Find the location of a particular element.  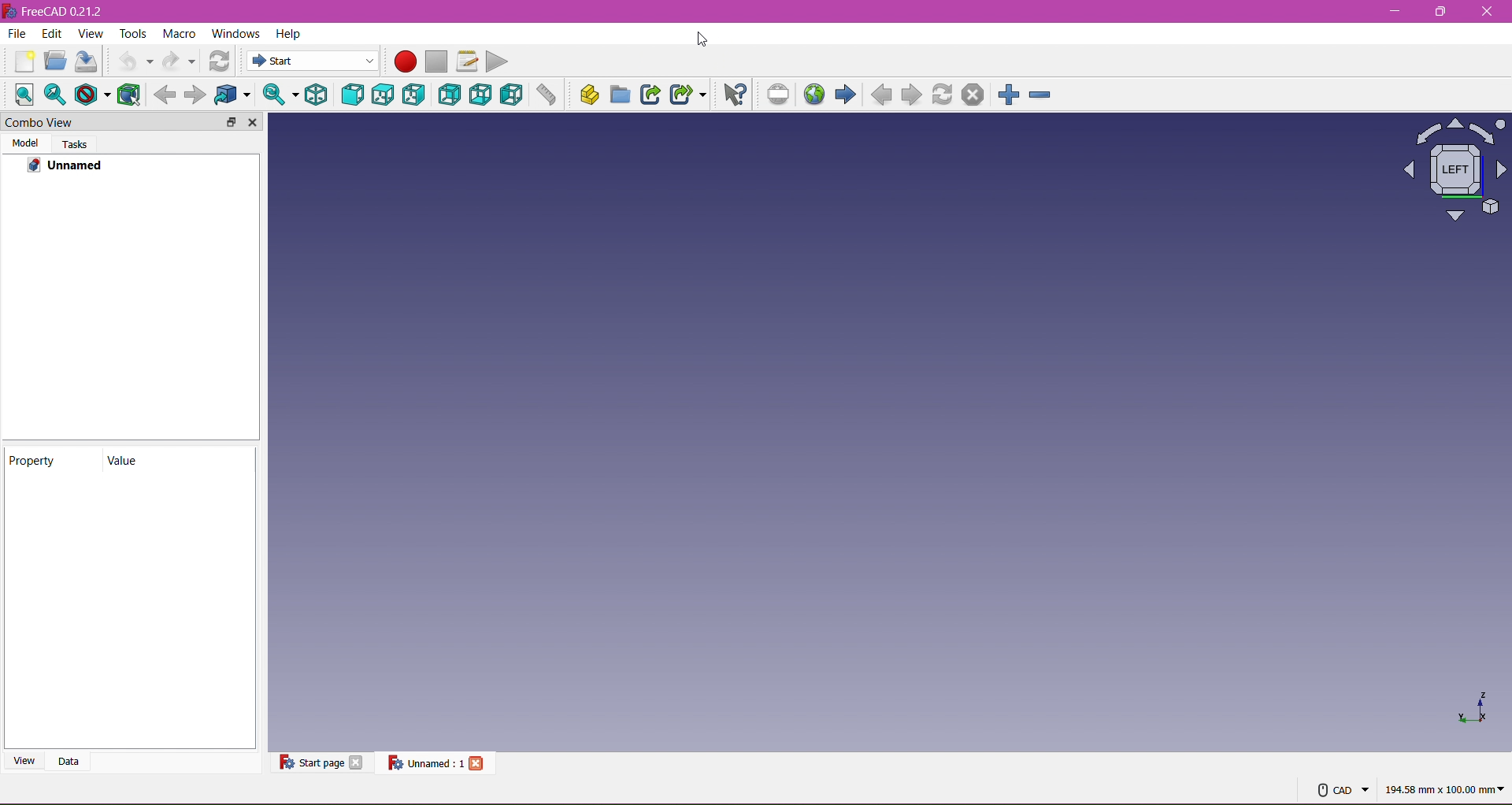

Zoom In is located at coordinates (1009, 95).